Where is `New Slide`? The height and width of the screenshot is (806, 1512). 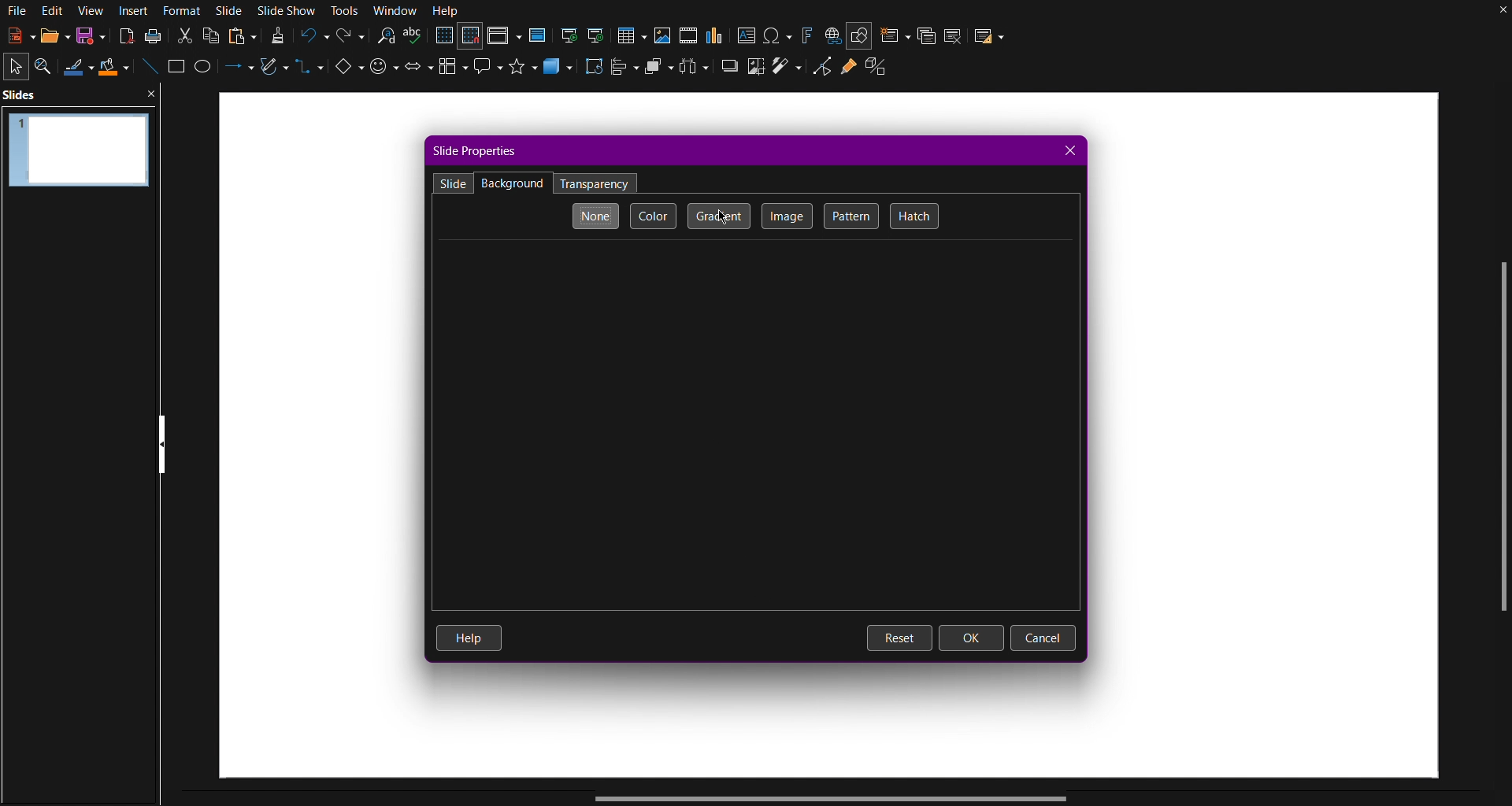 New Slide is located at coordinates (894, 34).